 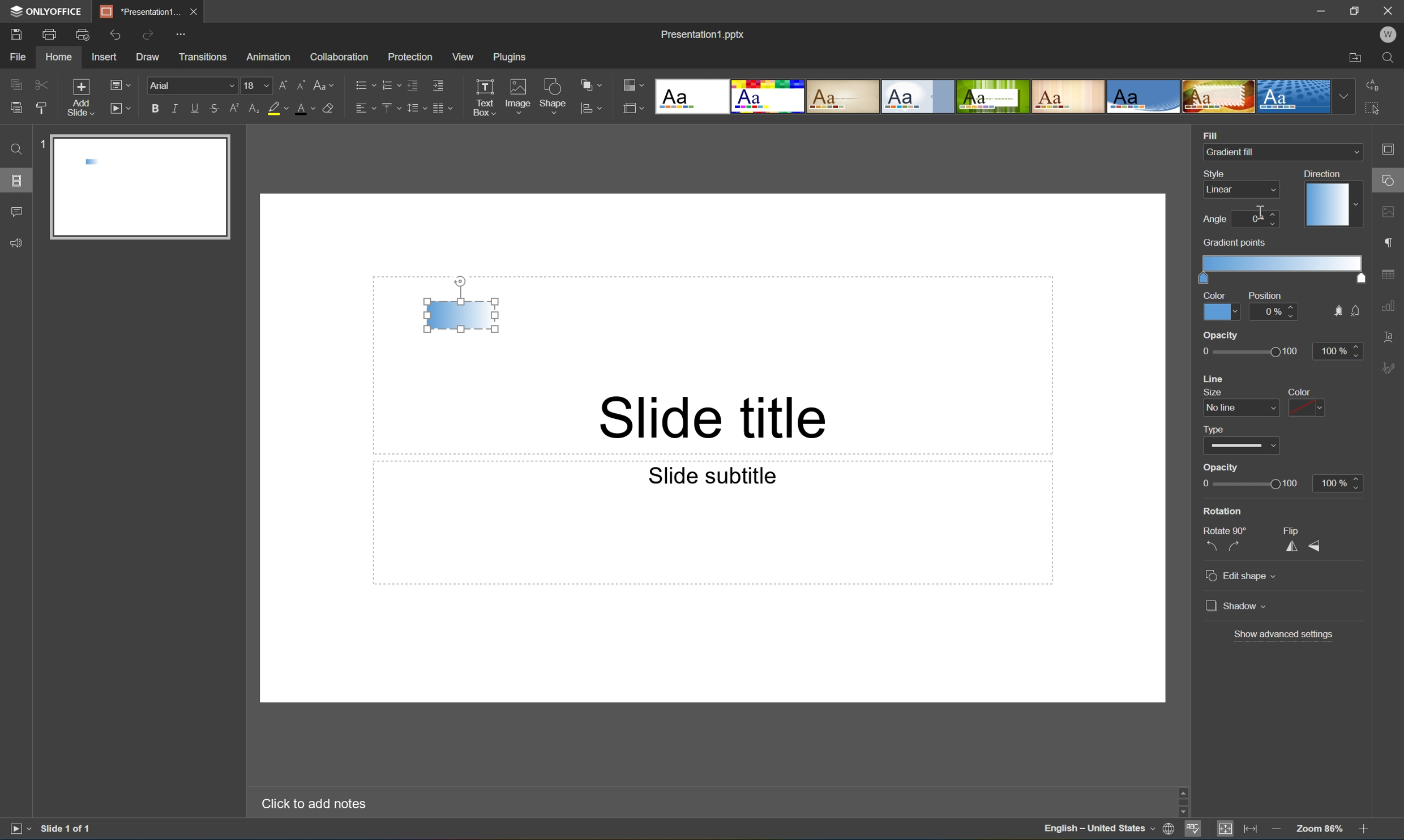 I want to click on table settings, so click(x=1390, y=275).